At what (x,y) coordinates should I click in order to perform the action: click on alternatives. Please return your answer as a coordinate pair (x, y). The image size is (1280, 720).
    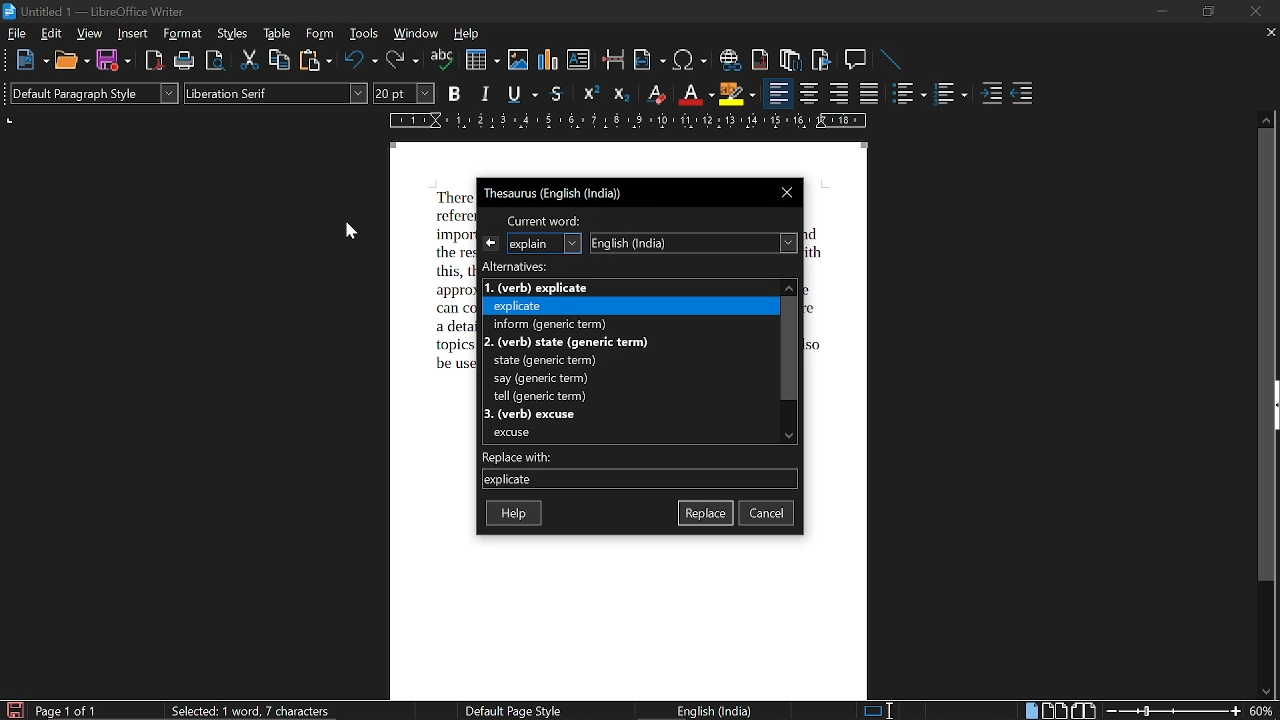
    Looking at the image, I should click on (519, 266).